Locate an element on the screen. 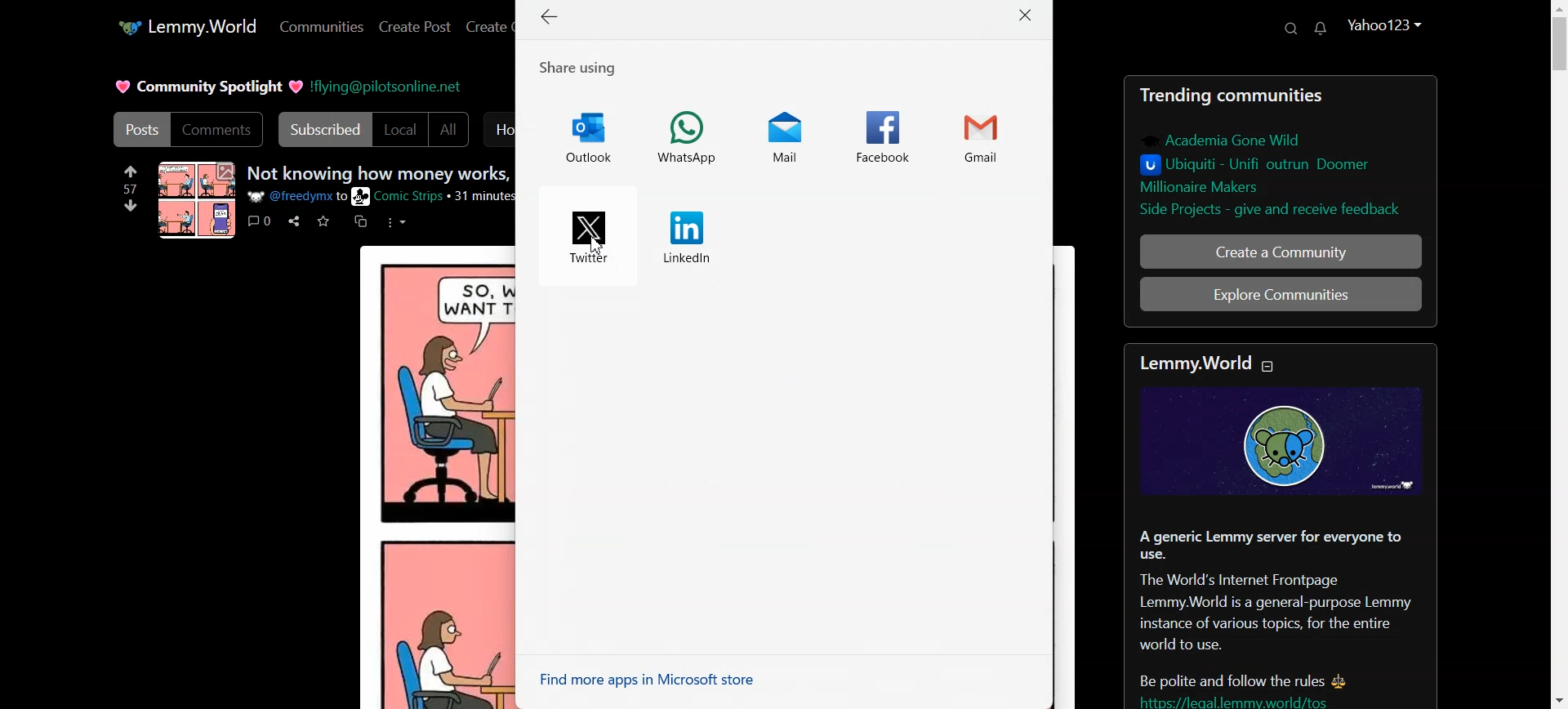 This screenshot has width=1568, height=709. Create Post is located at coordinates (416, 26).